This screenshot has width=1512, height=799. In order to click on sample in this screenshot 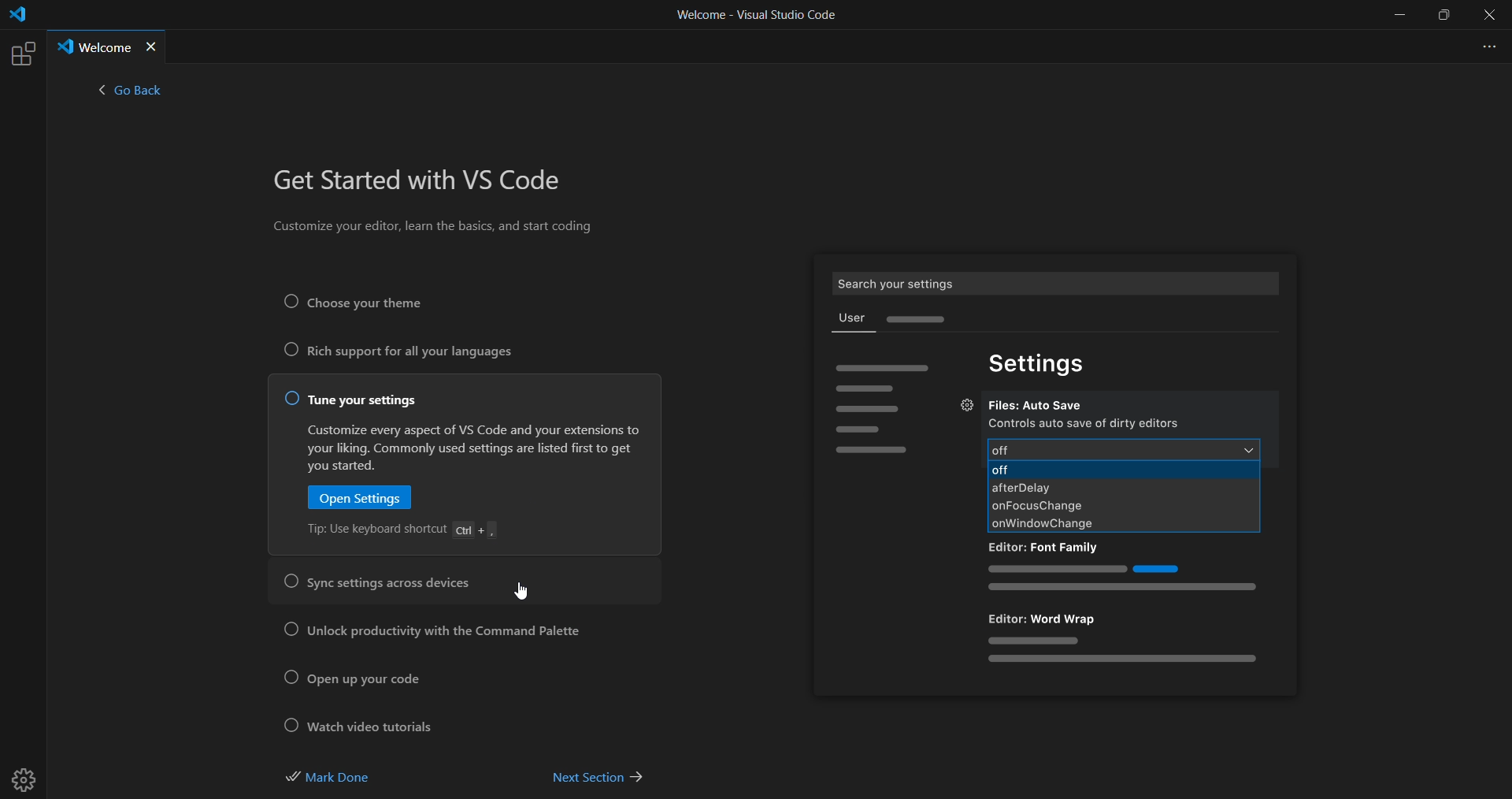, I will do `click(880, 409)`.